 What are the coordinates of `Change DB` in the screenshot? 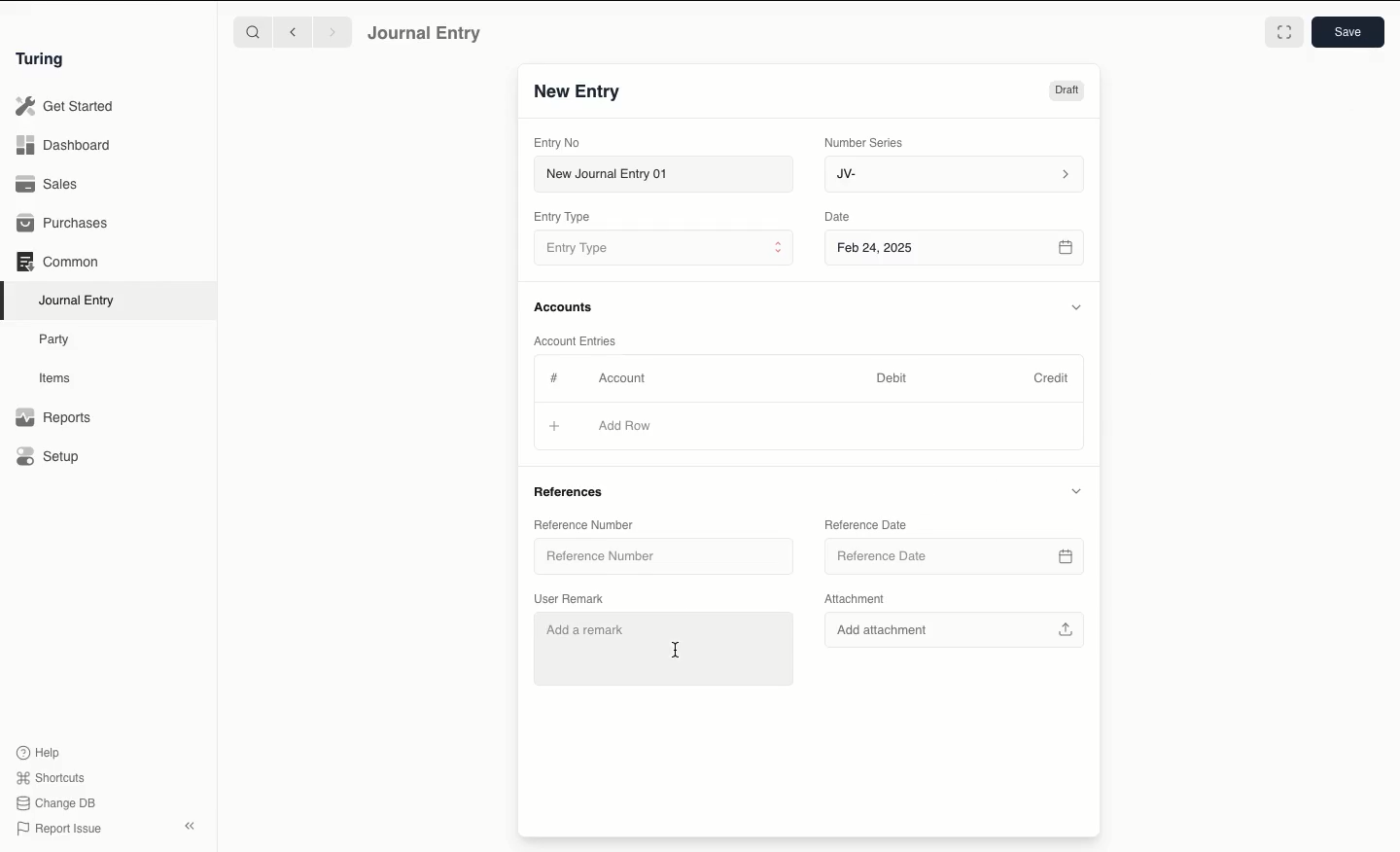 It's located at (55, 803).